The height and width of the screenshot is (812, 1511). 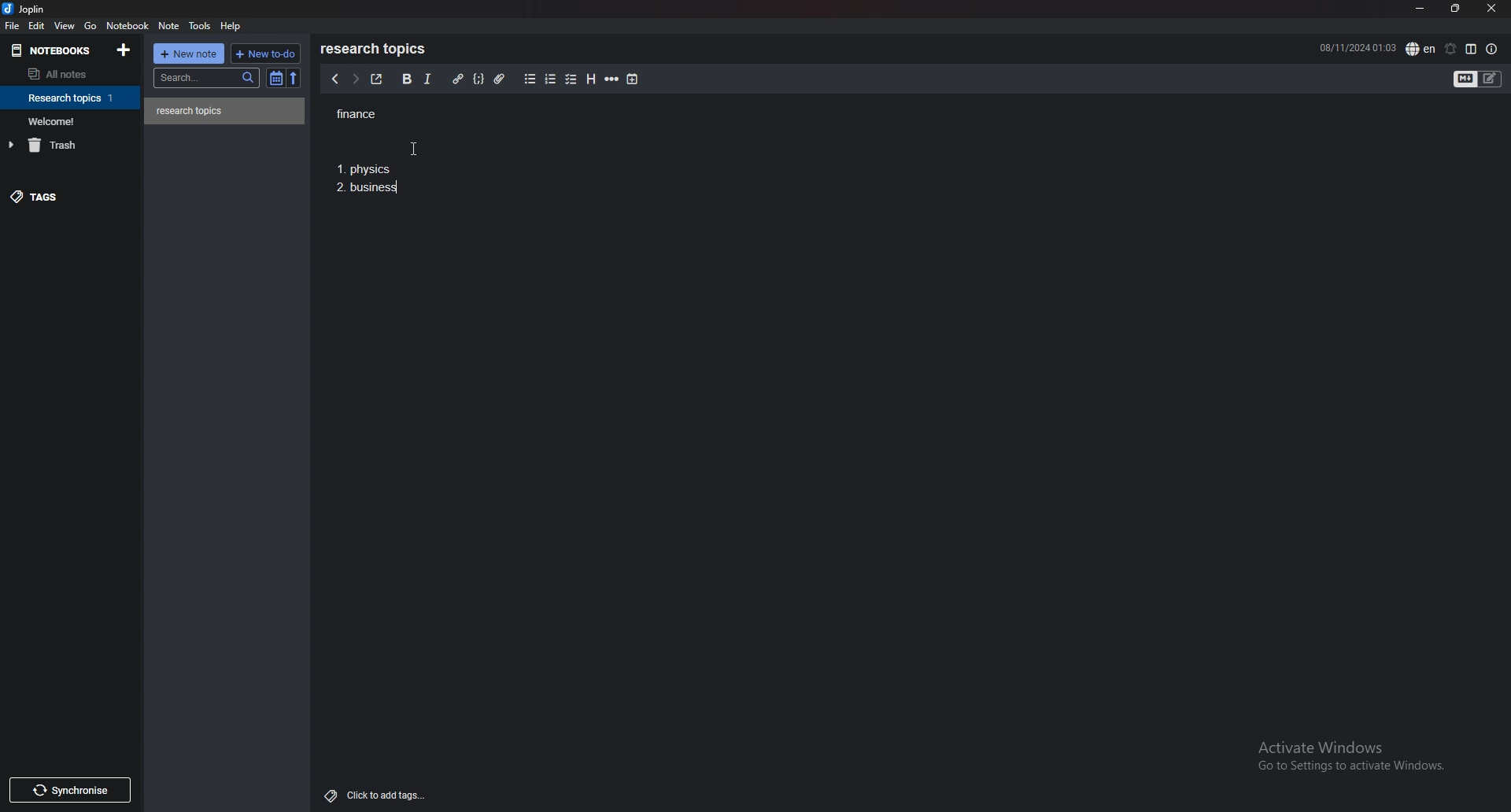 What do you see at coordinates (208, 77) in the screenshot?
I see `search bar` at bounding box center [208, 77].